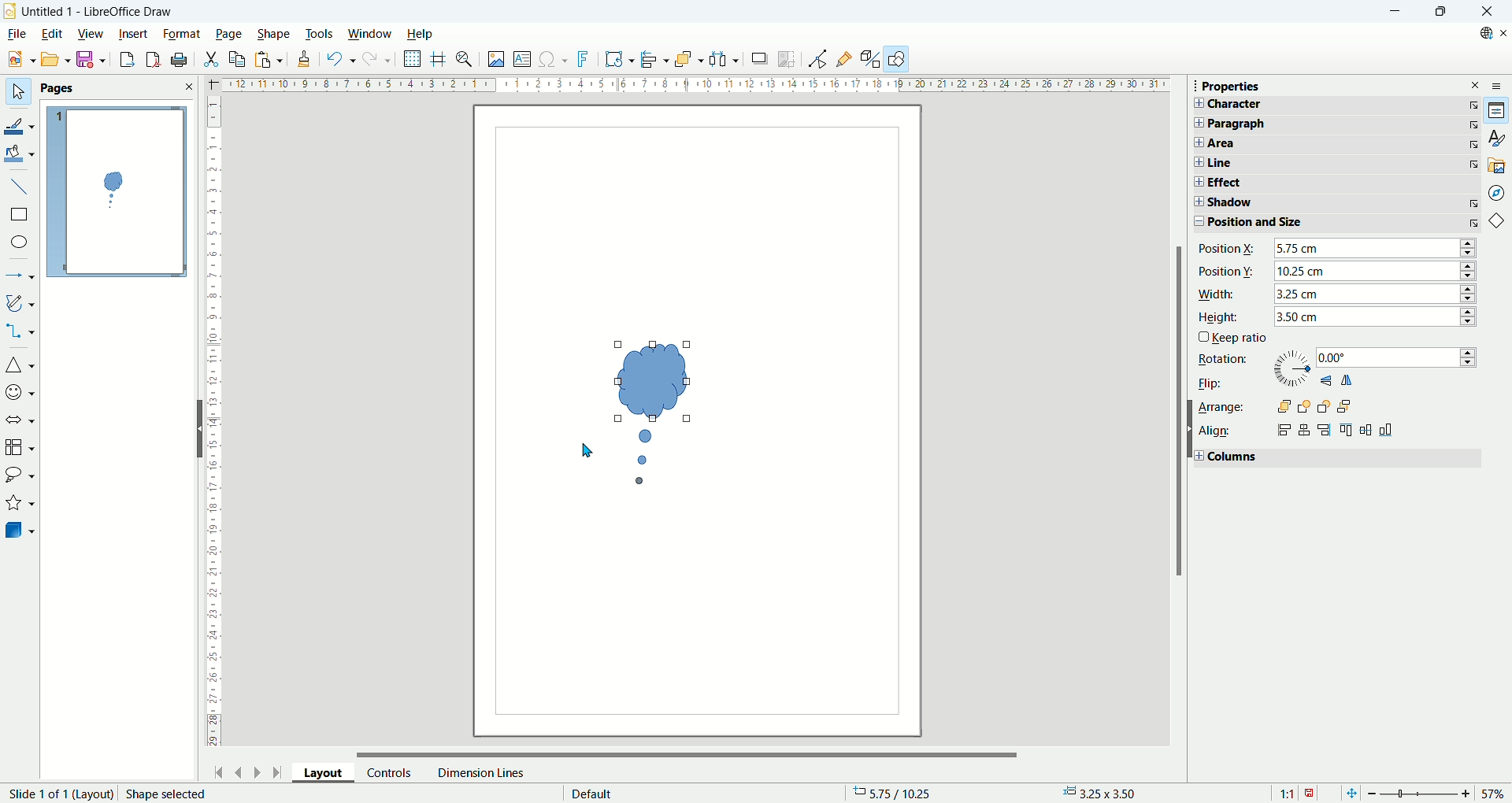  Describe the element at coordinates (1227, 249) in the screenshot. I see `Position X` at that location.